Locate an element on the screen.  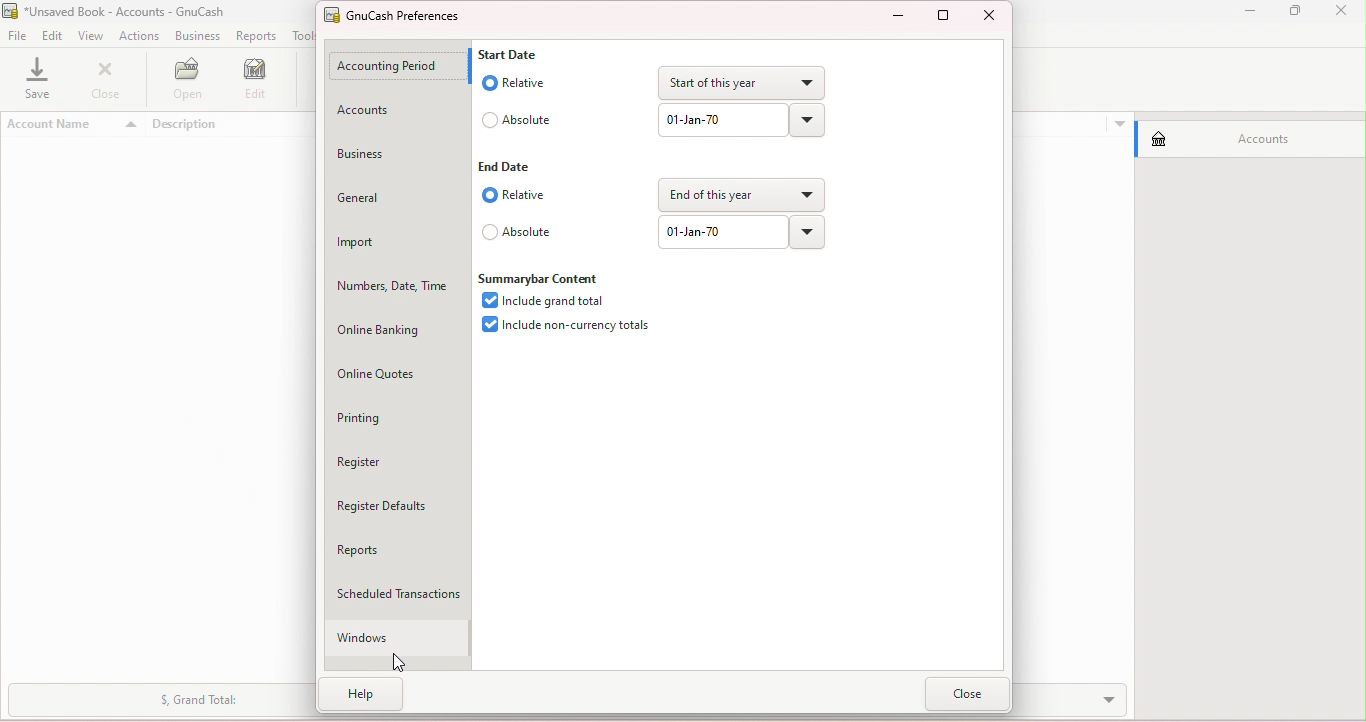
Scheduled Transaction is located at coordinates (405, 593).